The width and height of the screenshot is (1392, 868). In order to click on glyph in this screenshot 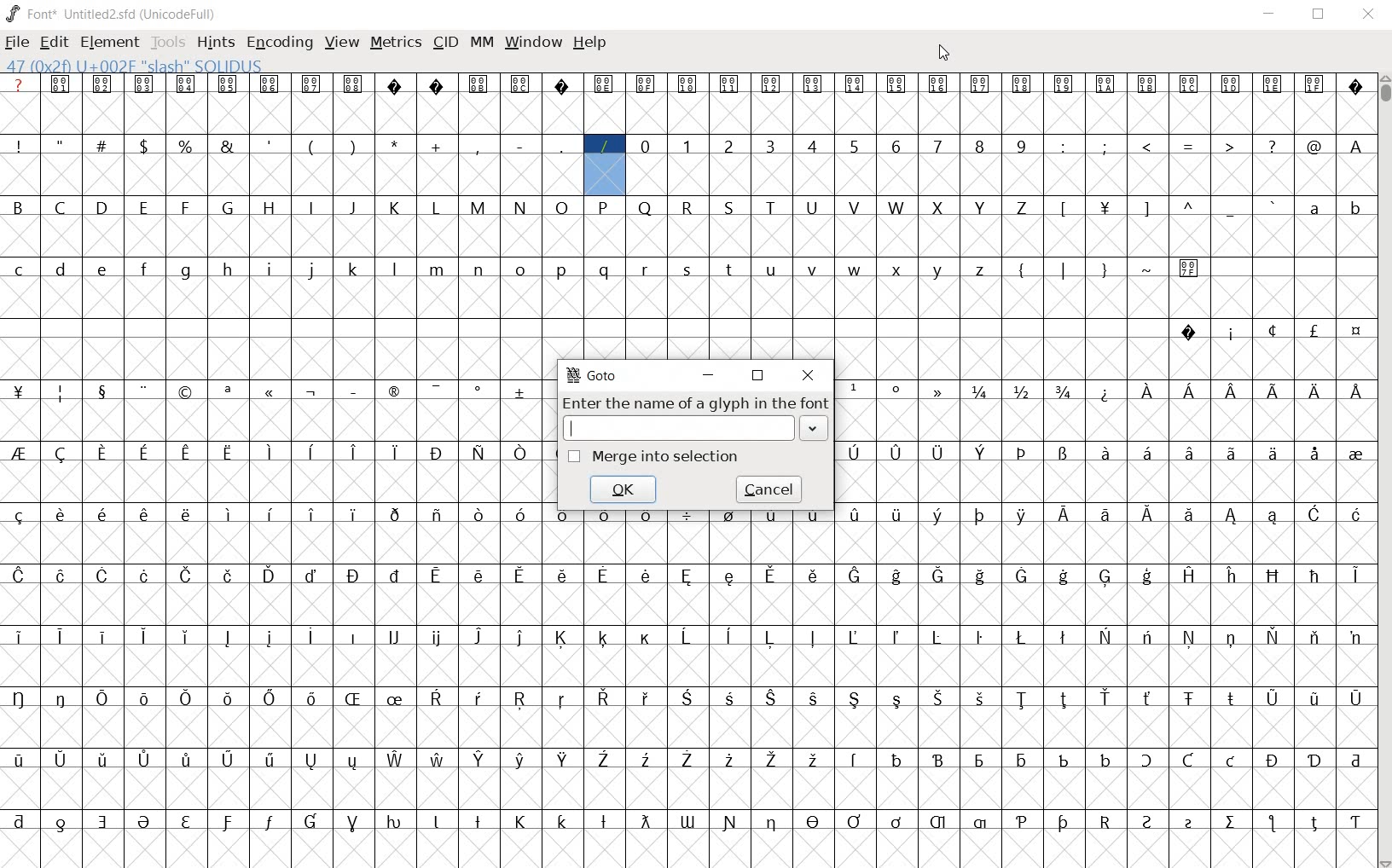, I will do `click(20, 821)`.